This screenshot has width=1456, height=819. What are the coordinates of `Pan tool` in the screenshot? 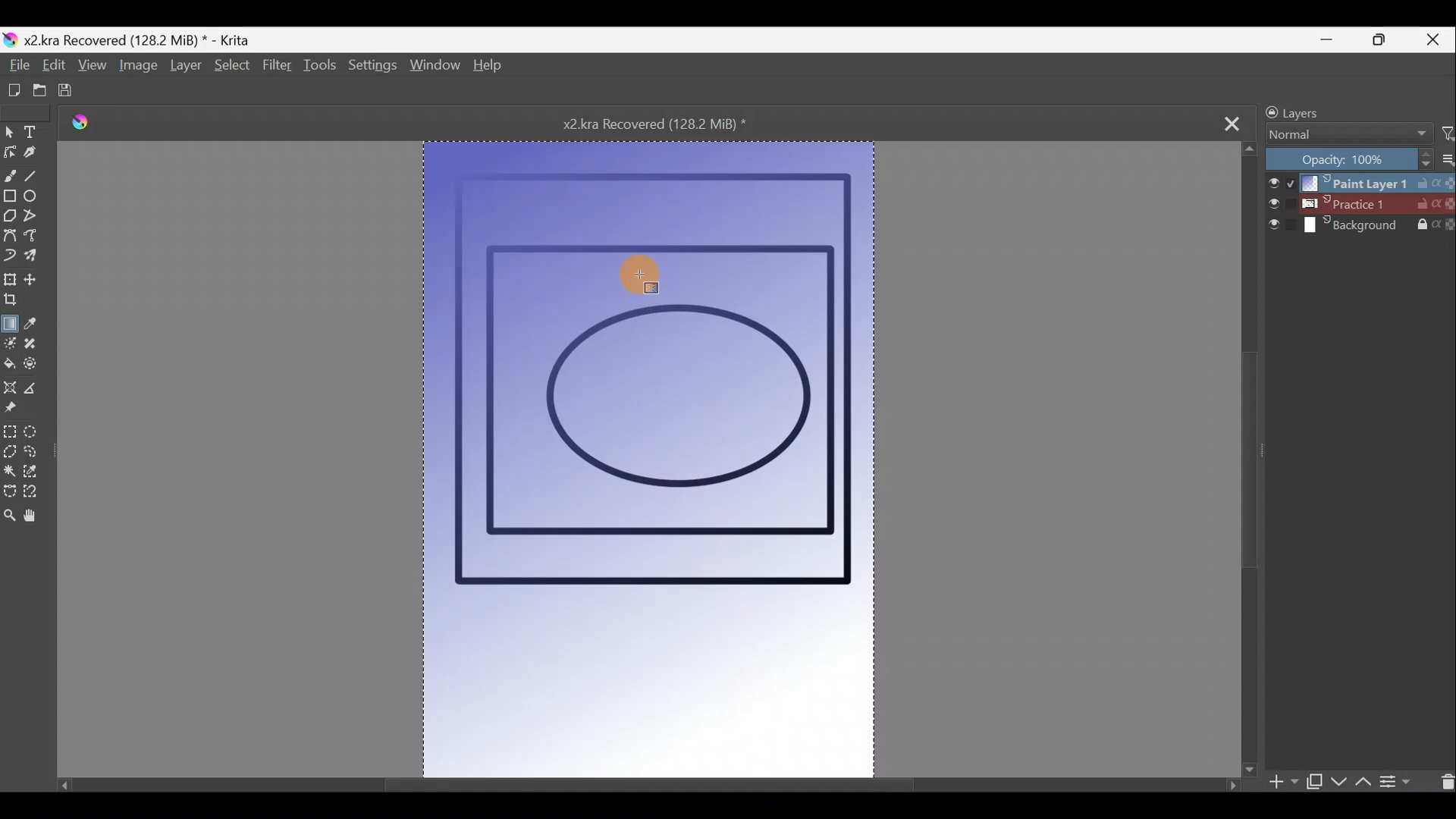 It's located at (35, 519).